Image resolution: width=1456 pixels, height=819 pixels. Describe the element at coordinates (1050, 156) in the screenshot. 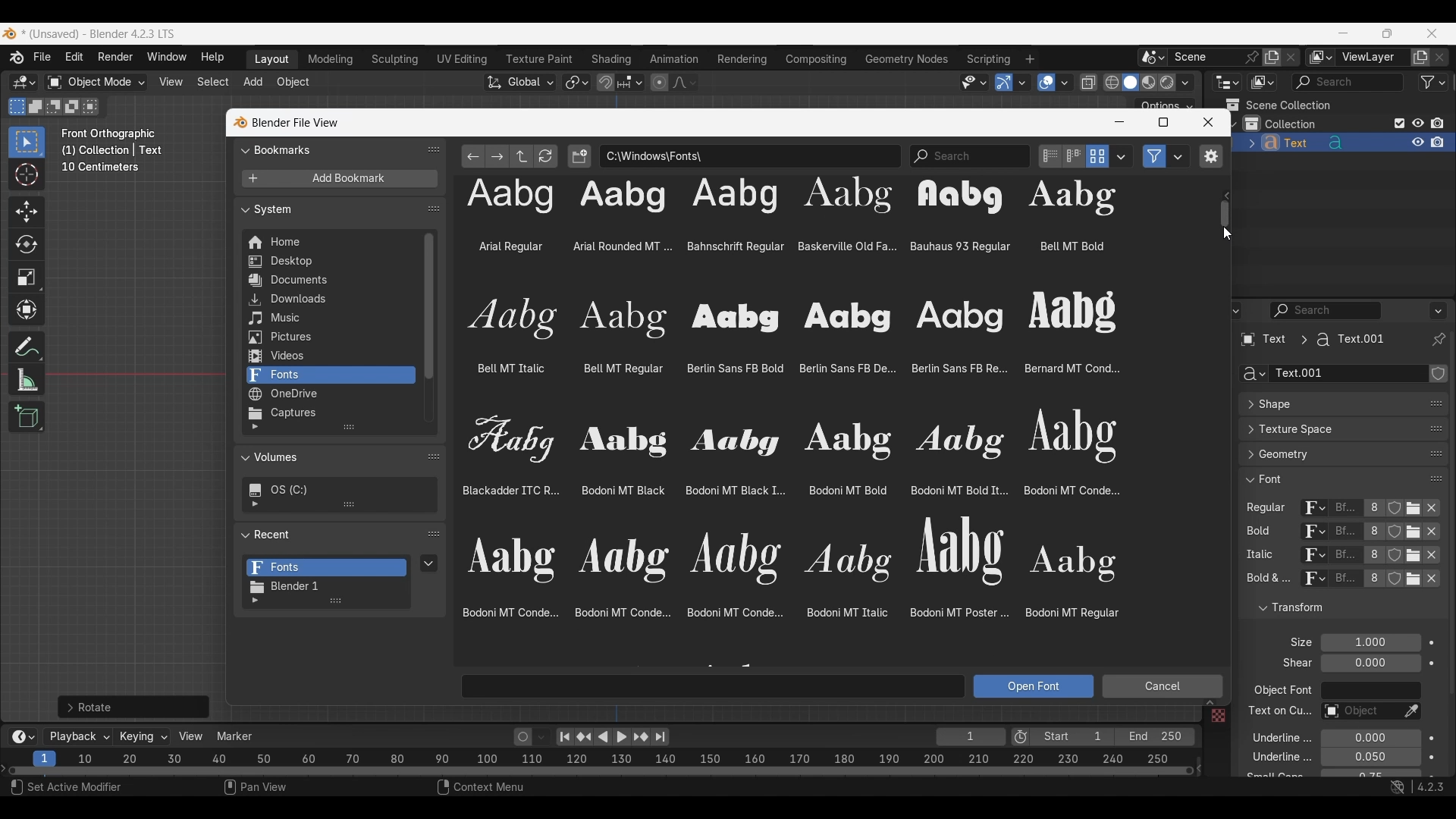

I see `Display settings, vertical list` at that location.